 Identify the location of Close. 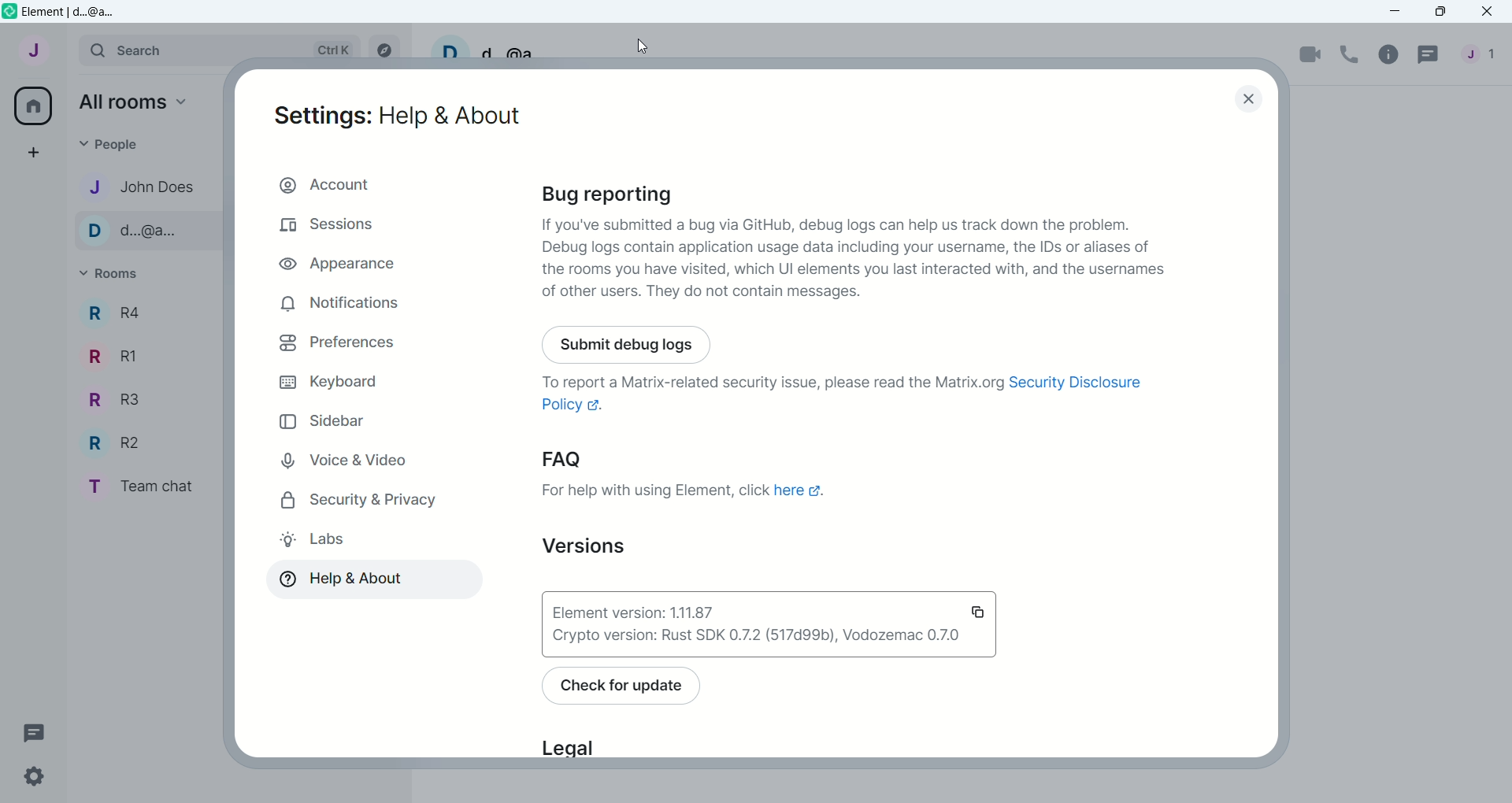
(1253, 98).